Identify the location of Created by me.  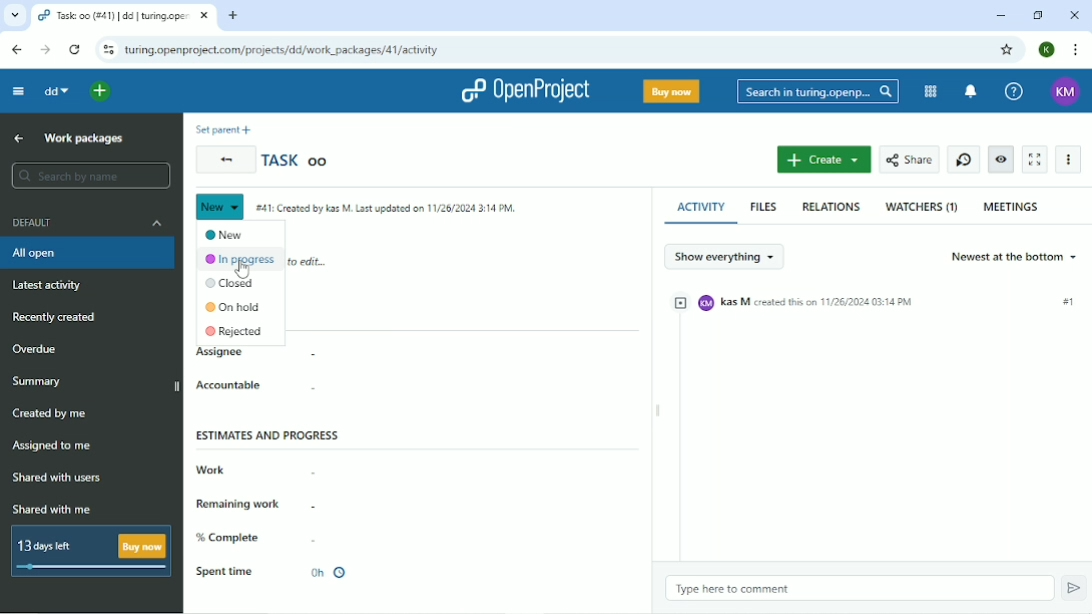
(55, 414).